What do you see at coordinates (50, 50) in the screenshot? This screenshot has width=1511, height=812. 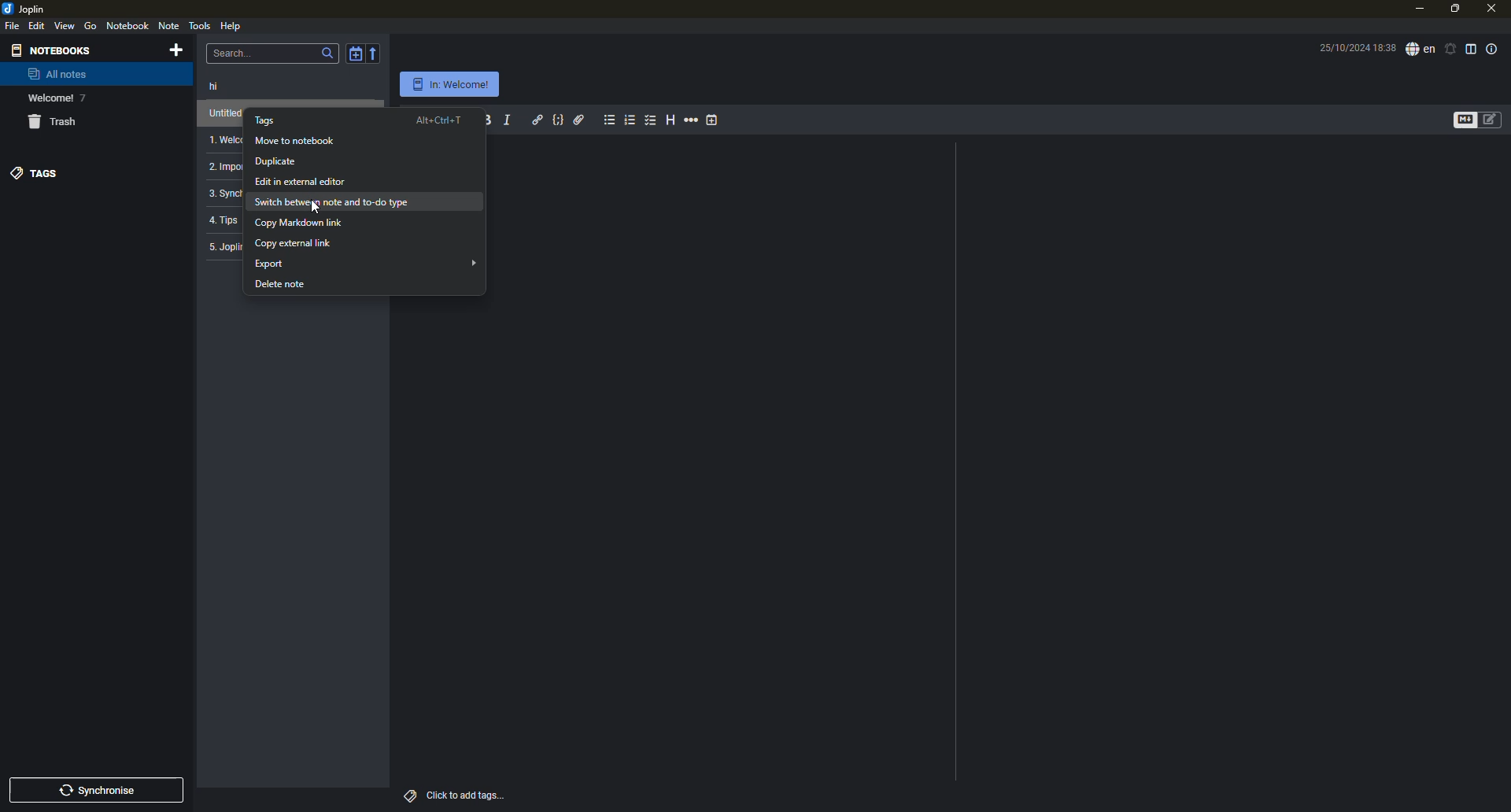 I see `notebooks` at bounding box center [50, 50].